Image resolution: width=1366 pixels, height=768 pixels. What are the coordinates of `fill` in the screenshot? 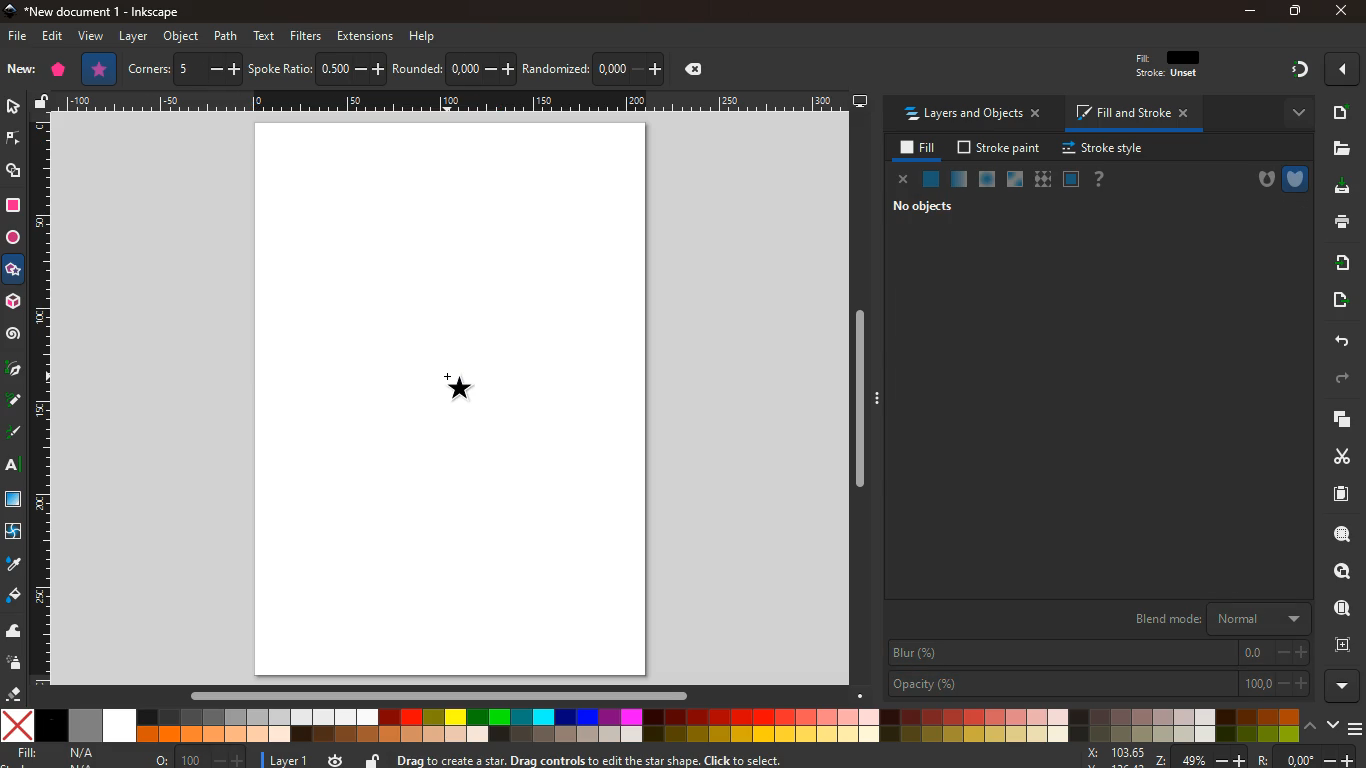 It's located at (1180, 66).